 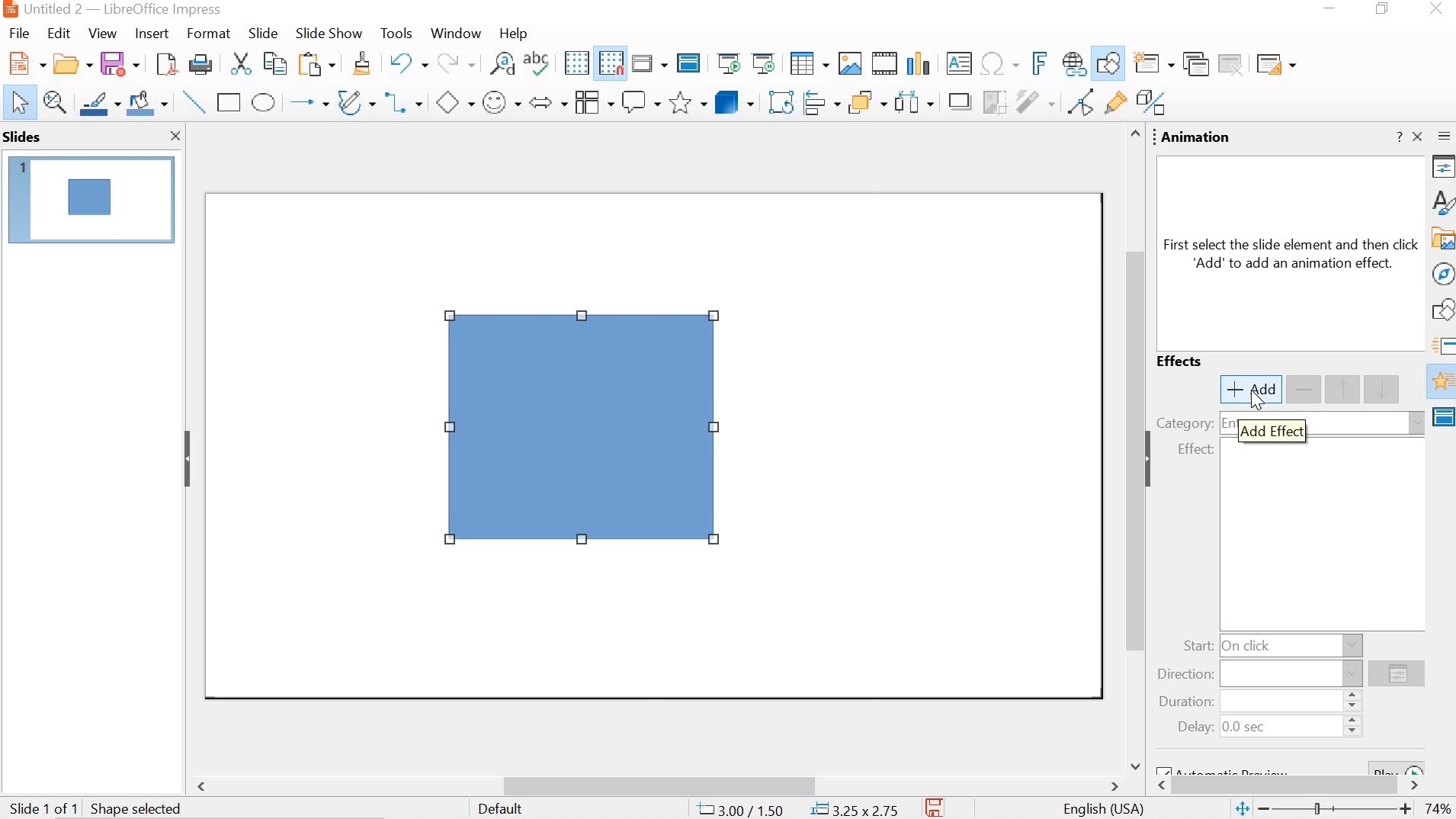 What do you see at coordinates (734, 101) in the screenshot?
I see `3D objects` at bounding box center [734, 101].